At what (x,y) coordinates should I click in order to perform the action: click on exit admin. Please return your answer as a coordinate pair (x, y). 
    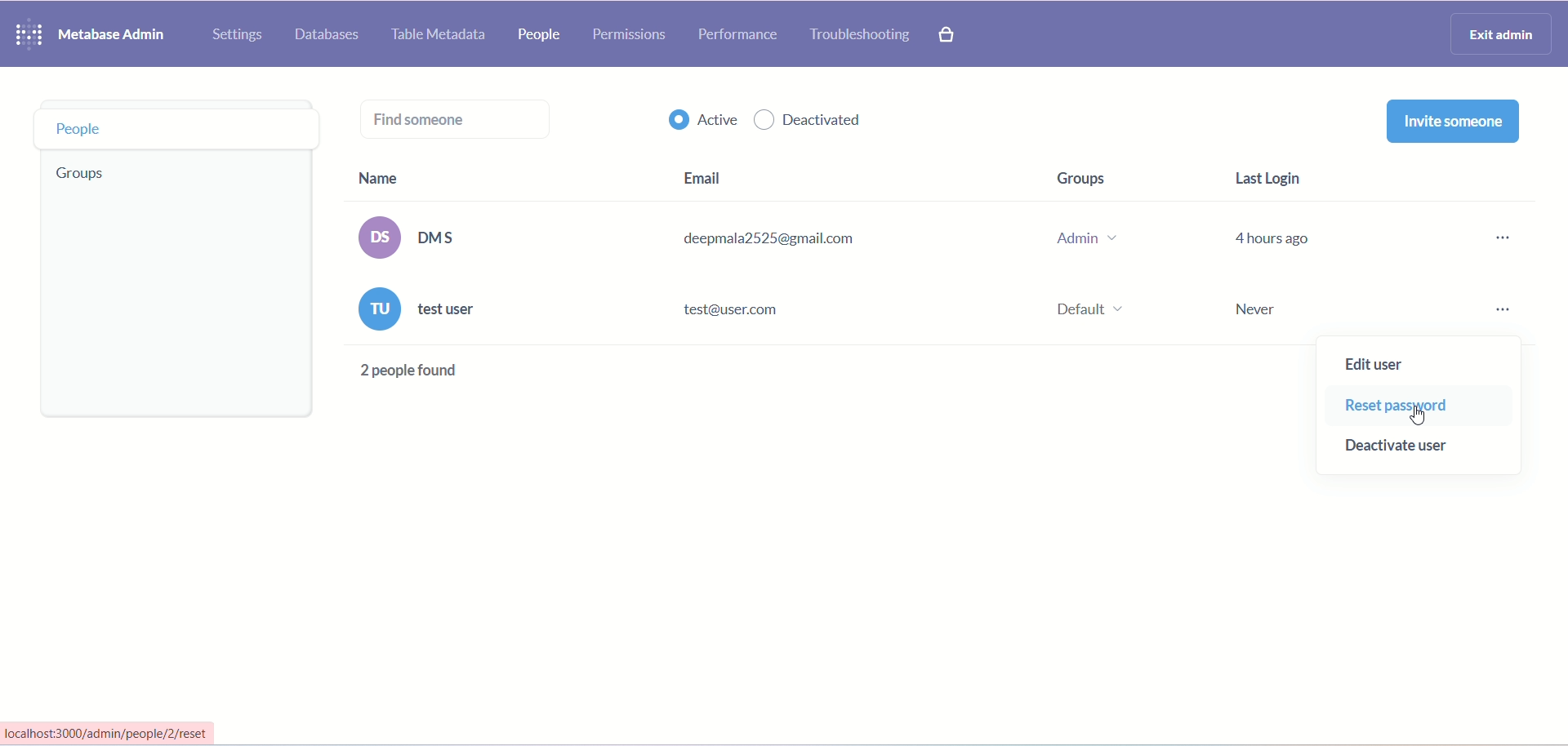
    Looking at the image, I should click on (1497, 34).